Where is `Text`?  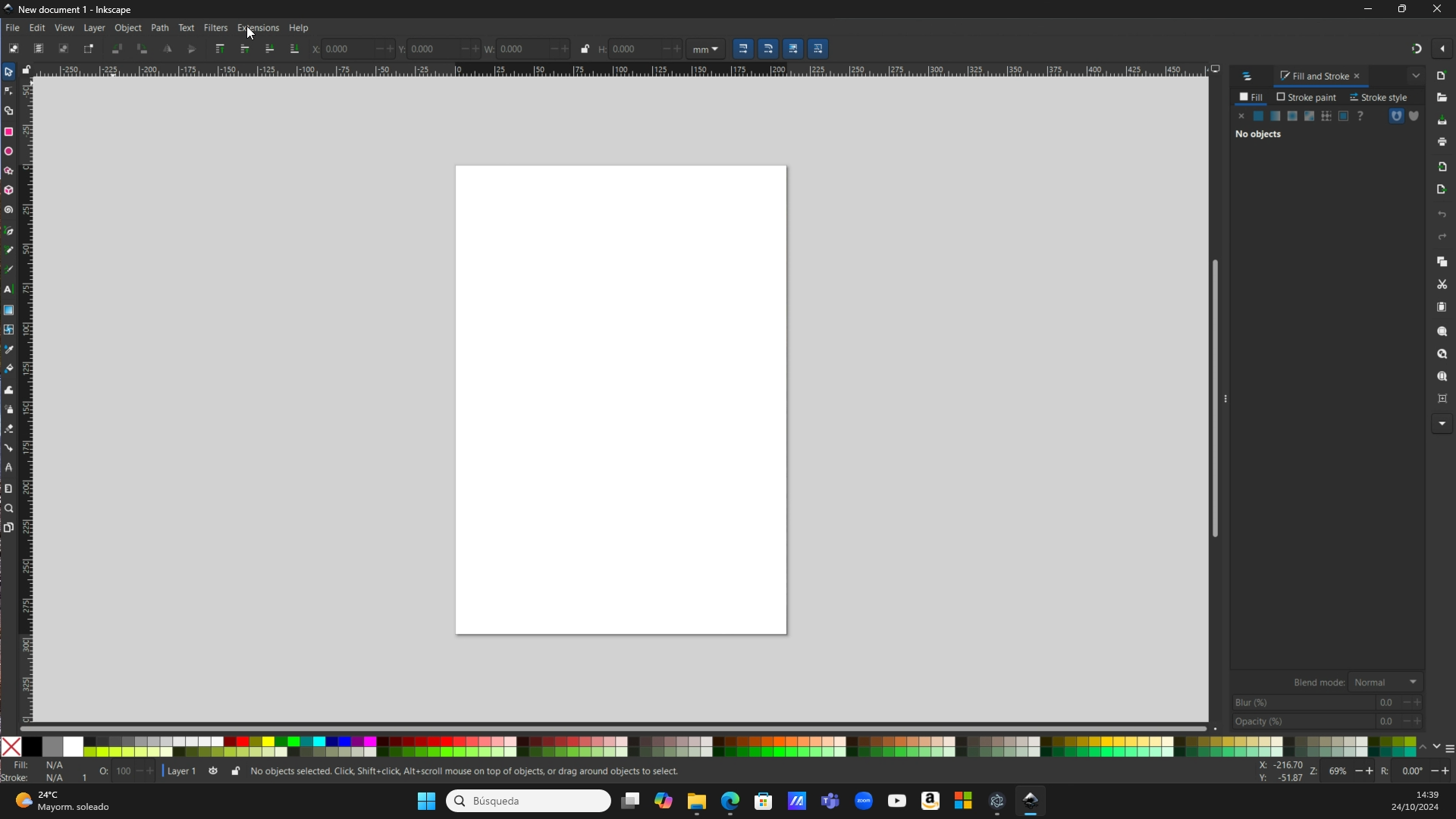 Text is located at coordinates (187, 27).